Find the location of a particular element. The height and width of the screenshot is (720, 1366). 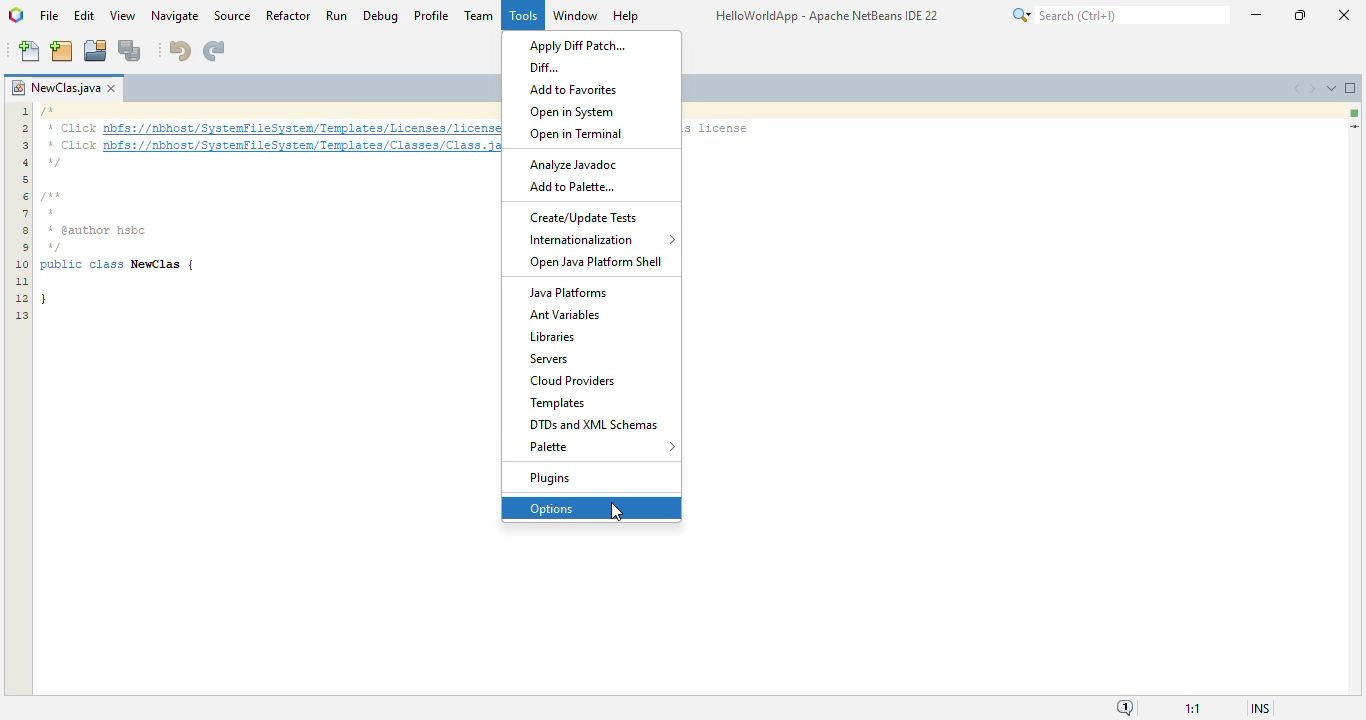

open project is located at coordinates (95, 49).